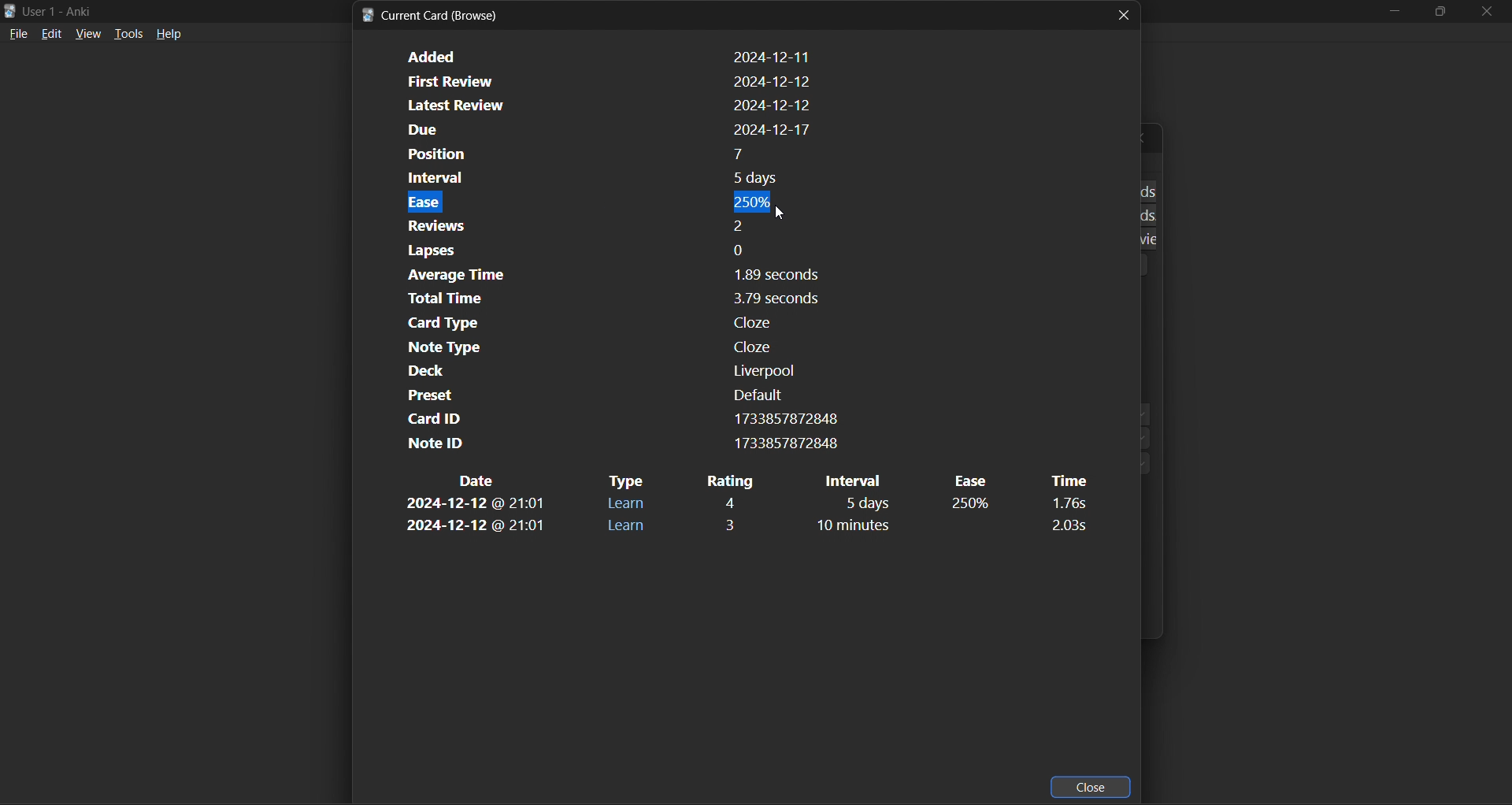 Image resolution: width=1512 pixels, height=805 pixels. What do you see at coordinates (735, 523) in the screenshot?
I see `rating` at bounding box center [735, 523].